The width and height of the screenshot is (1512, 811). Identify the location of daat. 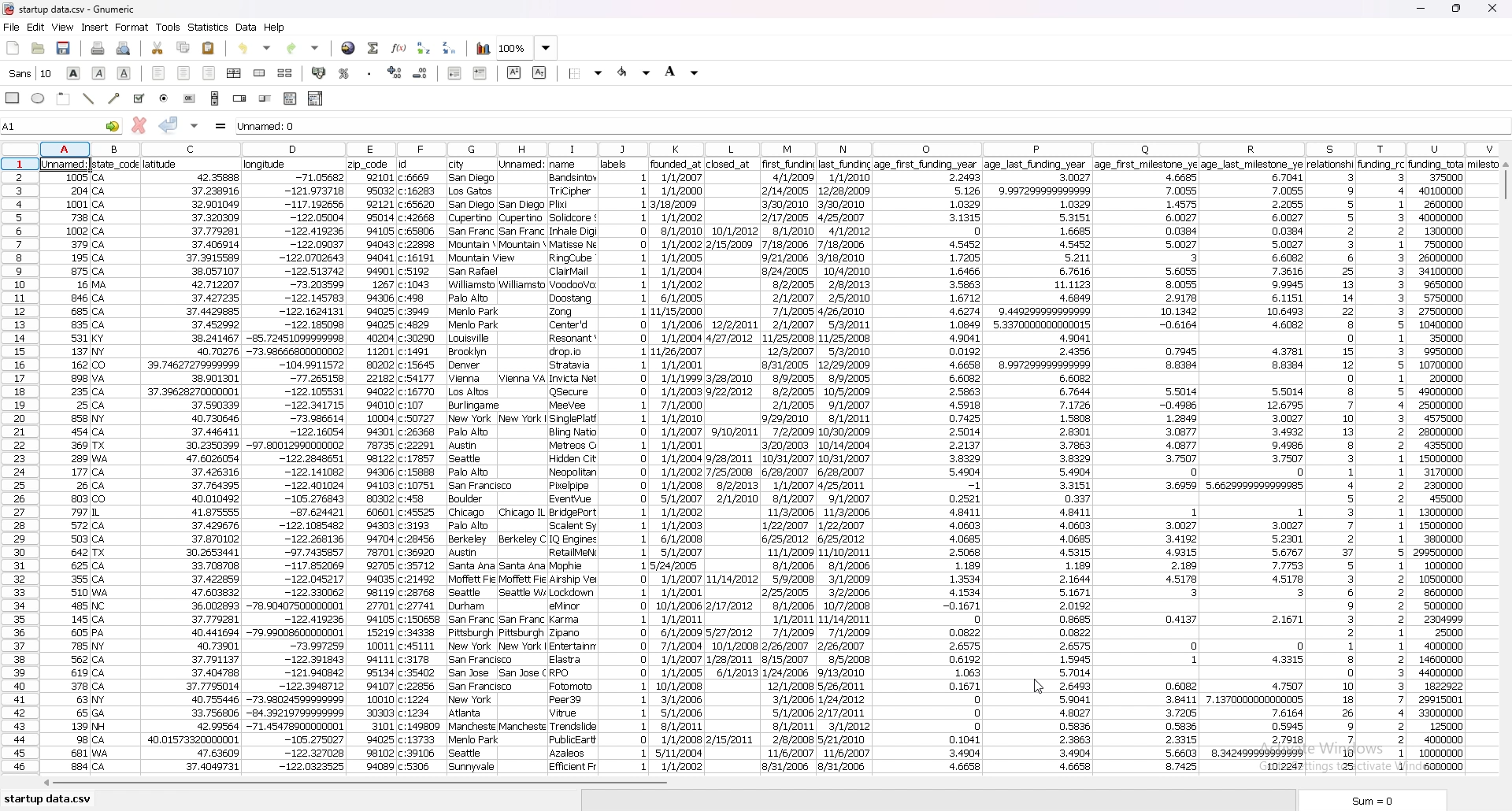
(523, 465).